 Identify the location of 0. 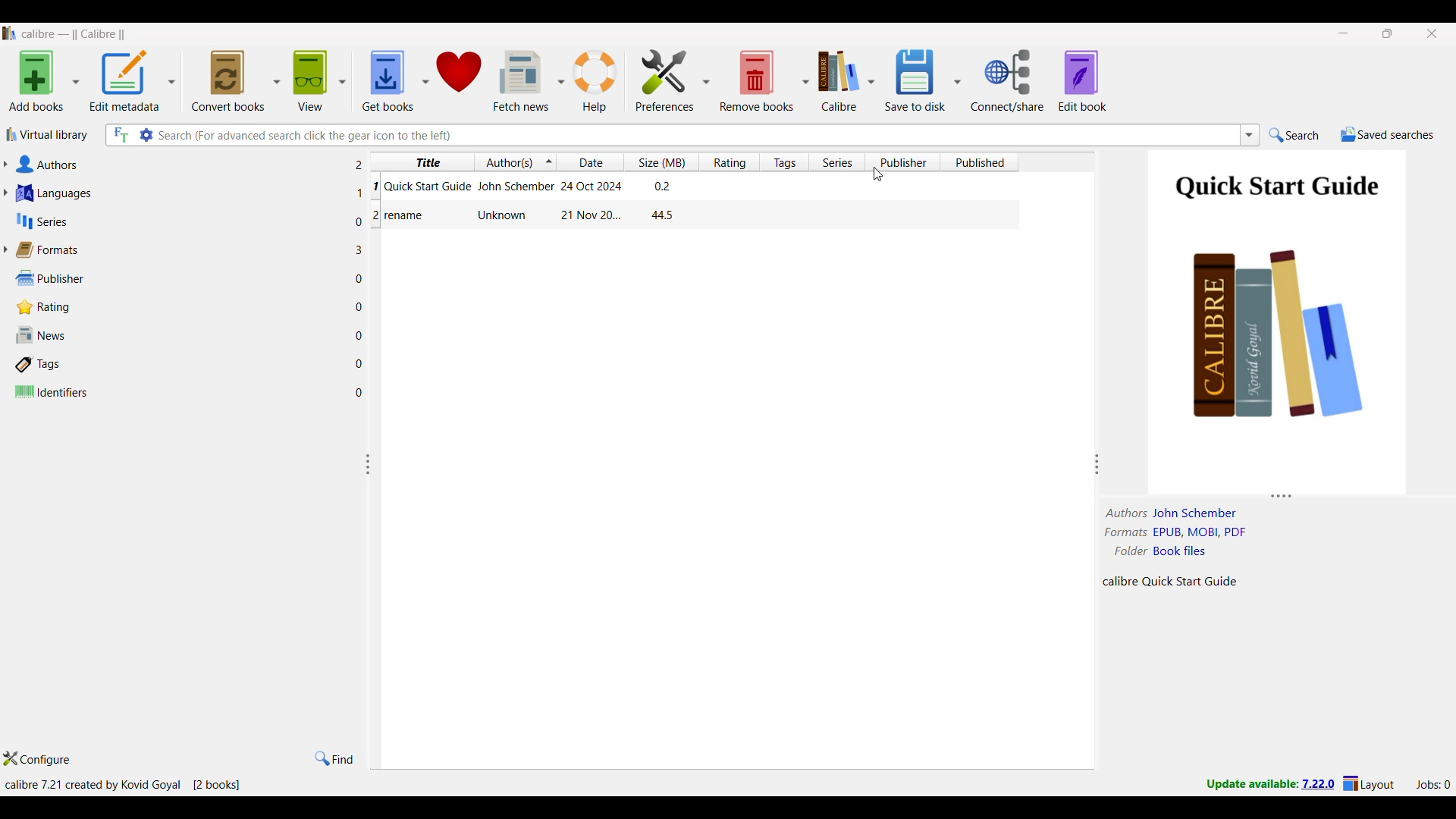
(363, 391).